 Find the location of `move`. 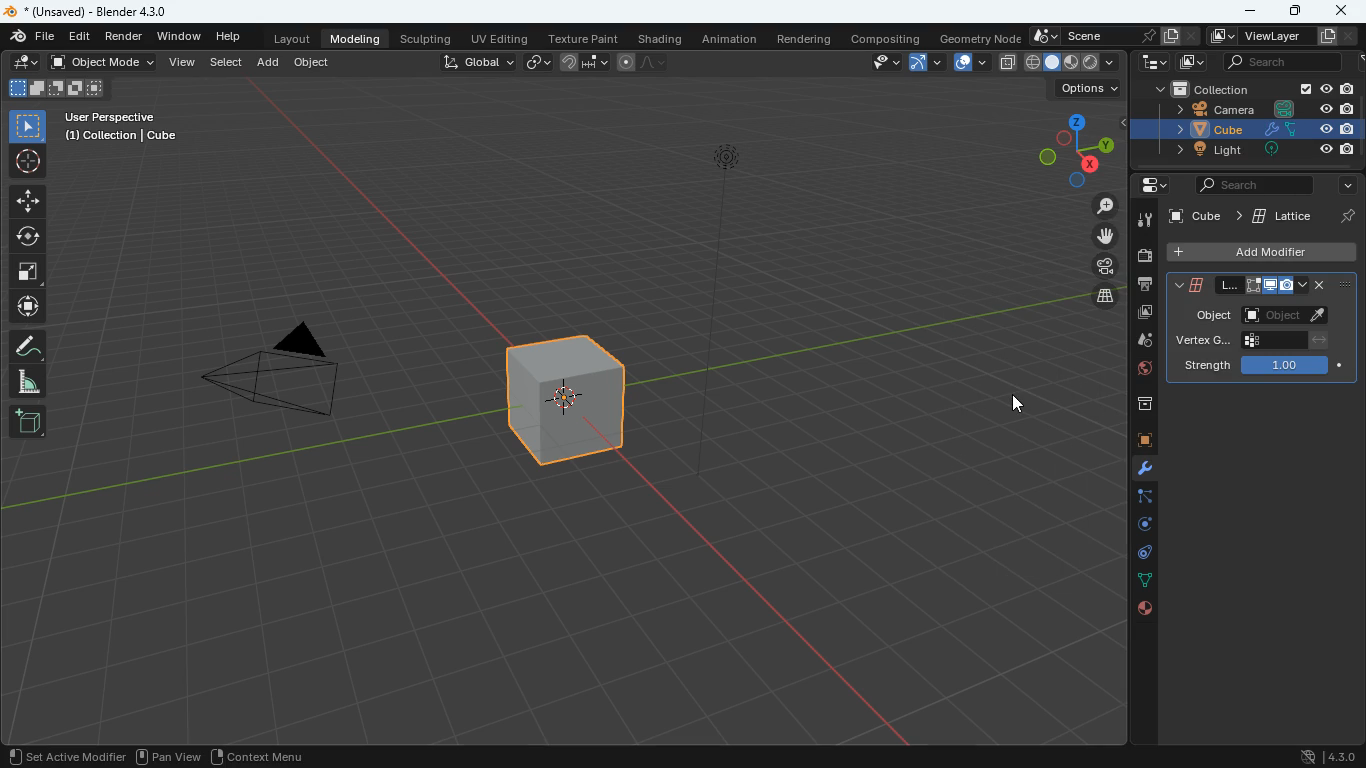

move is located at coordinates (30, 308).